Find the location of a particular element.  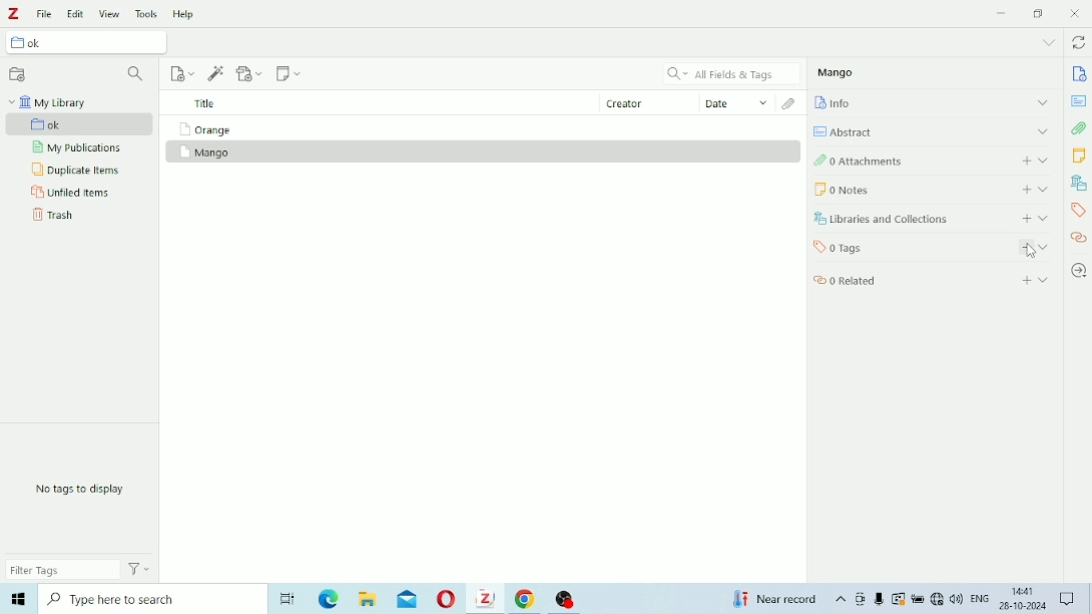

ENG is located at coordinates (983, 597).